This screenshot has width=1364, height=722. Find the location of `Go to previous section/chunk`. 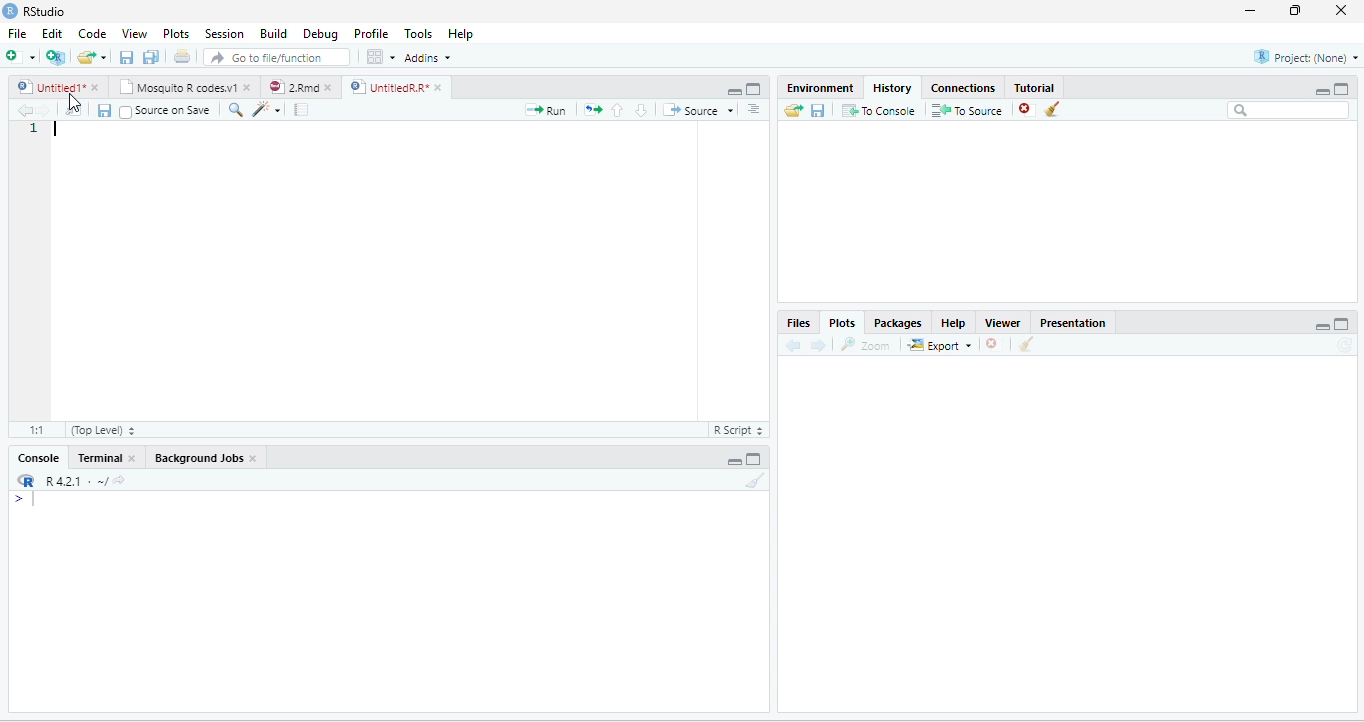

Go to previous section/chunk is located at coordinates (618, 110).